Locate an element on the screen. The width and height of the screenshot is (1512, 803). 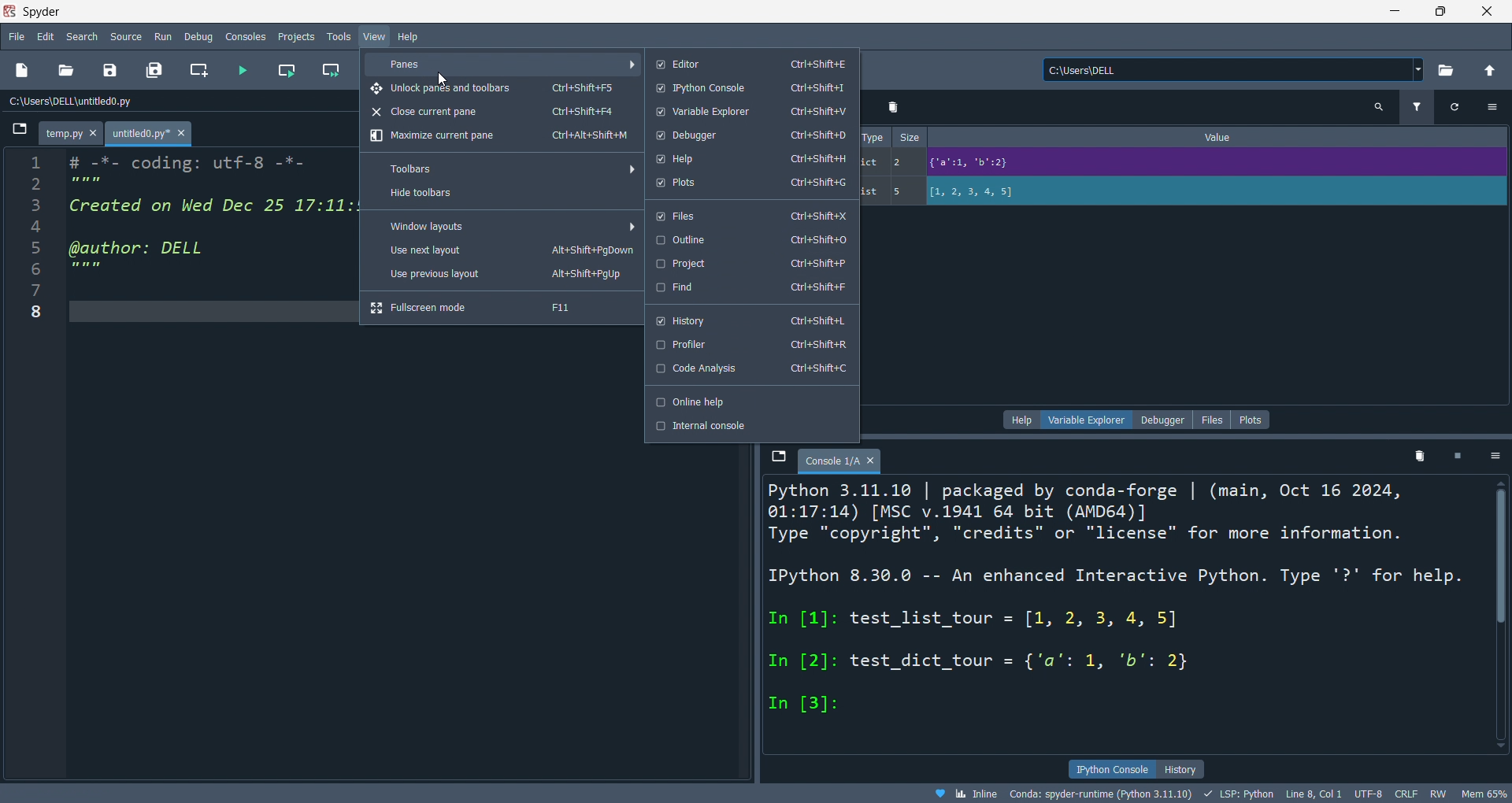
search is located at coordinates (83, 36).